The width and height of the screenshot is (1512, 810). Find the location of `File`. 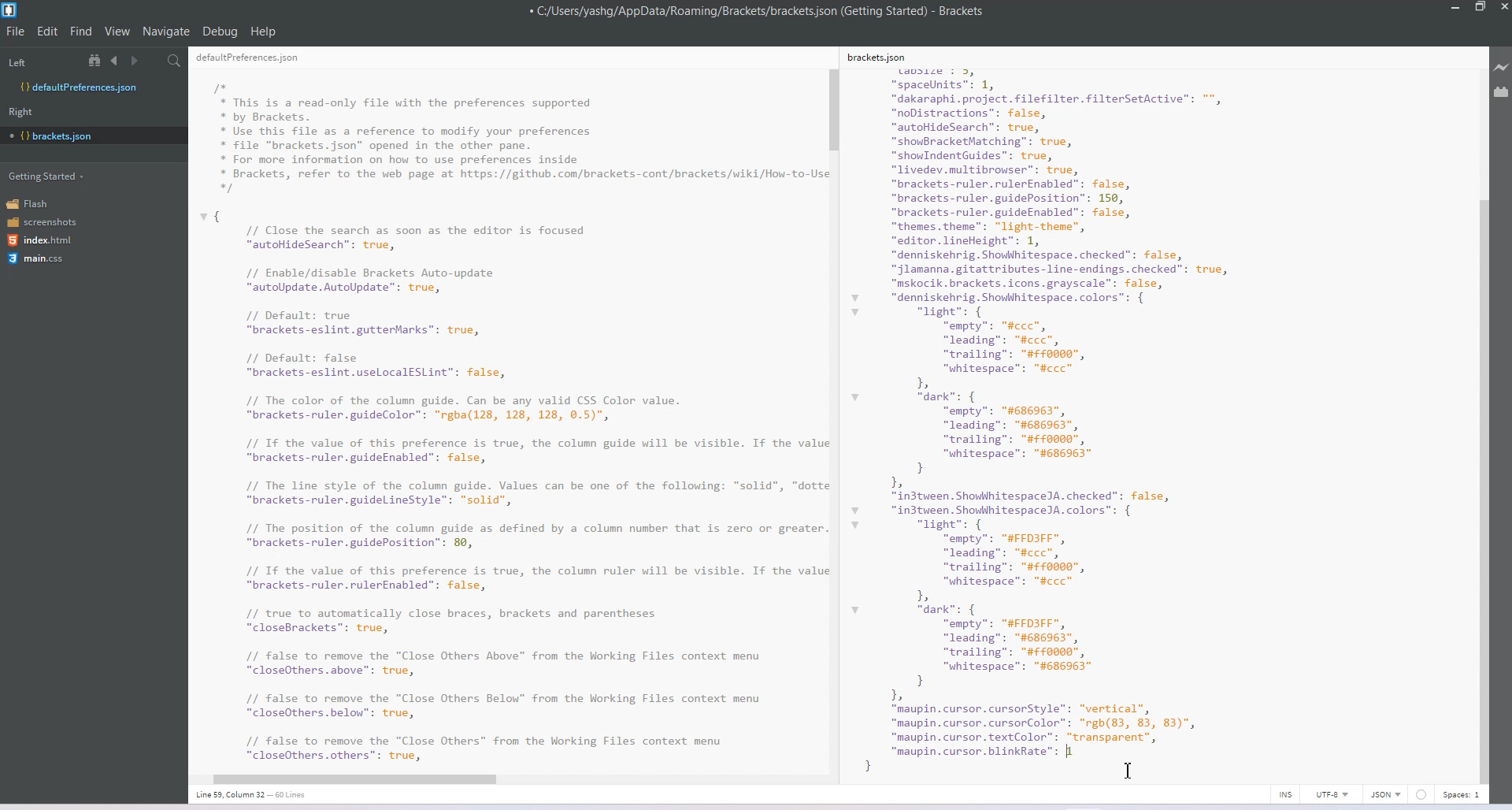

File is located at coordinates (16, 31).